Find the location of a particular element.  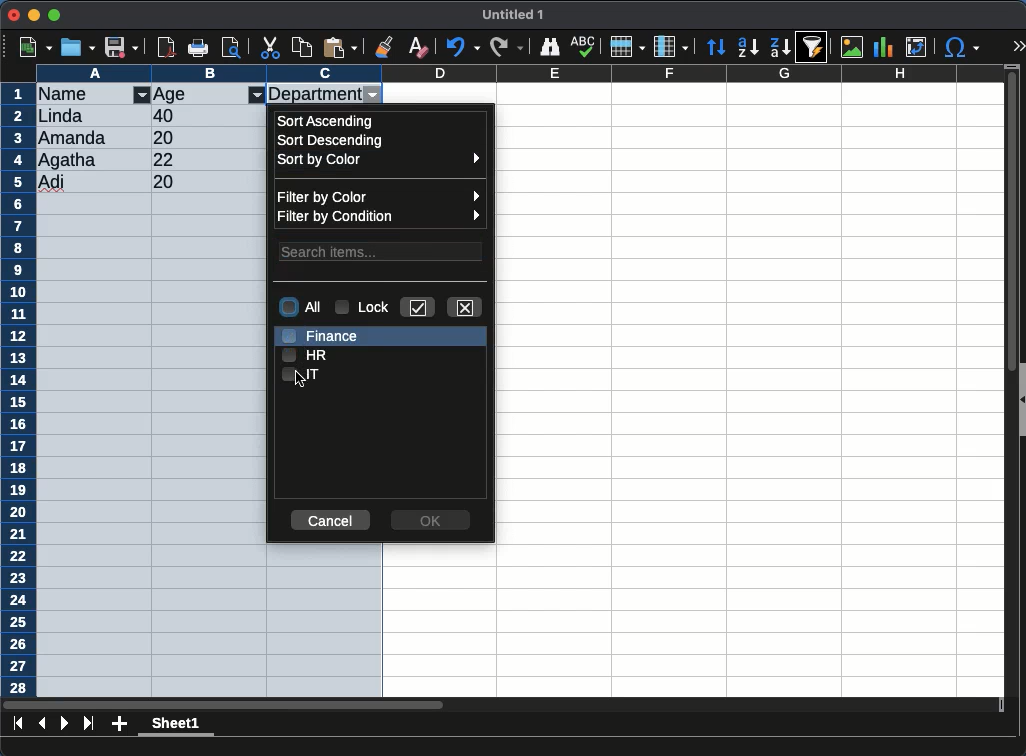

save is located at coordinates (122, 47).